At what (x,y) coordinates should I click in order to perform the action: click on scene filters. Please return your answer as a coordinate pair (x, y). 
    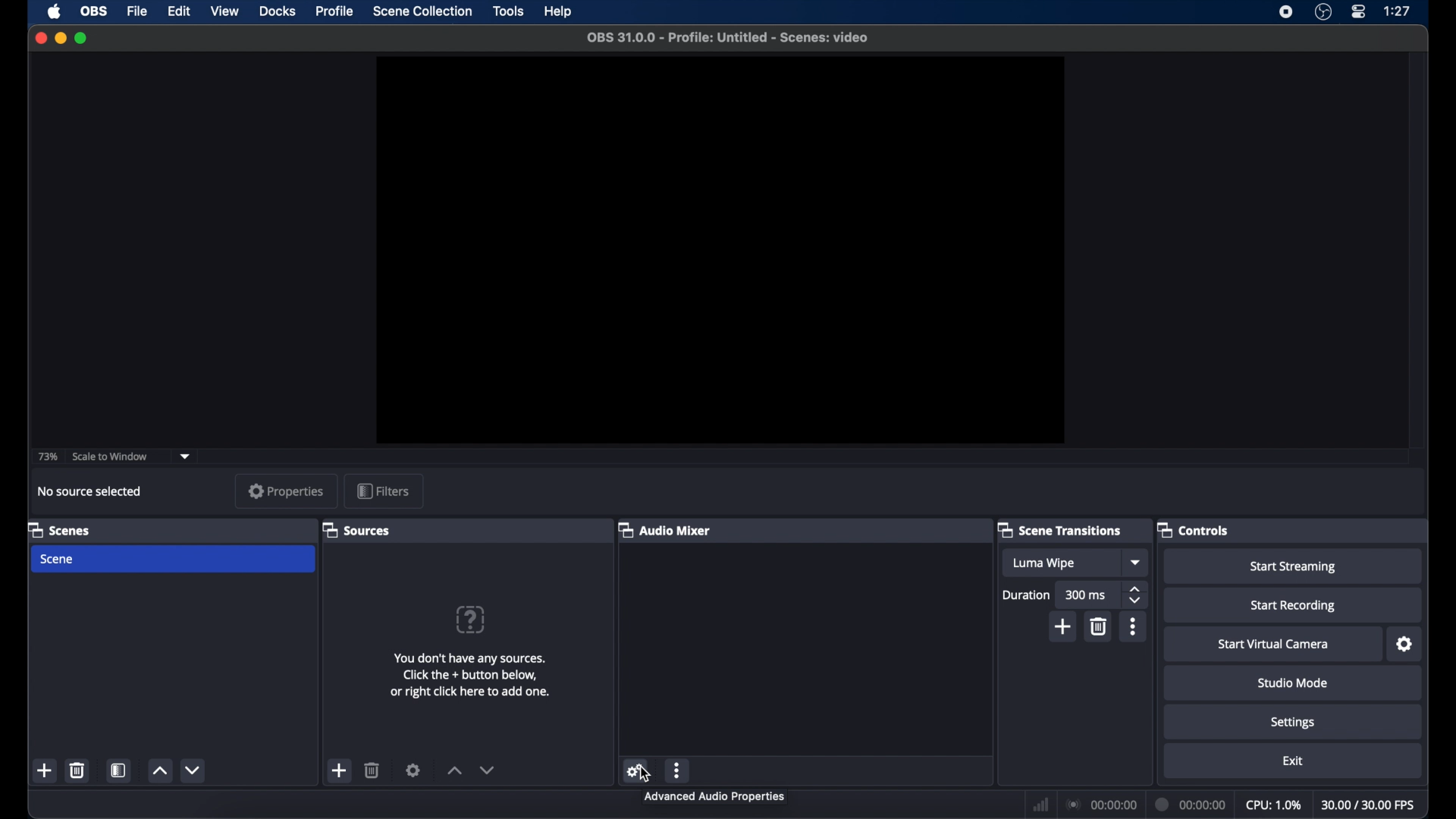
    Looking at the image, I should click on (120, 770).